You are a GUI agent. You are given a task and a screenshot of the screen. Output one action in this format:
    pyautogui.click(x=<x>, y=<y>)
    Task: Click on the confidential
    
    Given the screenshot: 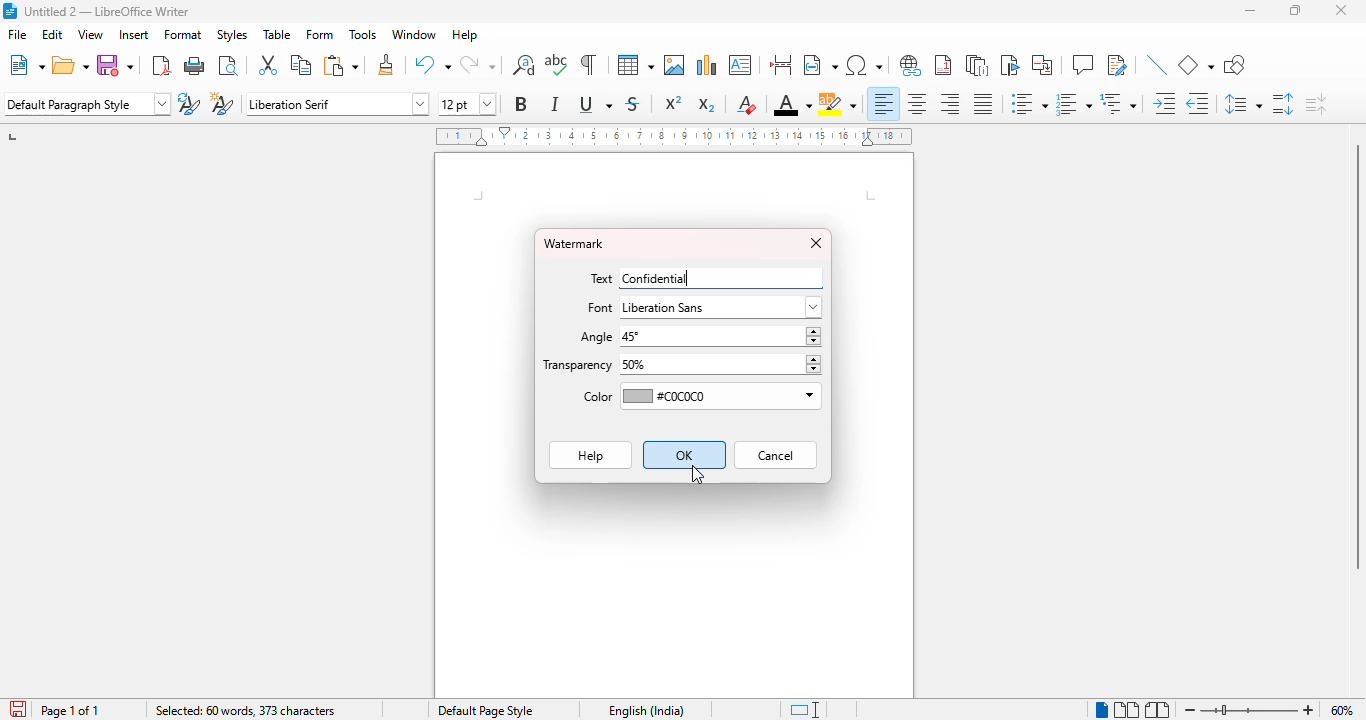 What is the action you would take?
    pyautogui.click(x=657, y=278)
    